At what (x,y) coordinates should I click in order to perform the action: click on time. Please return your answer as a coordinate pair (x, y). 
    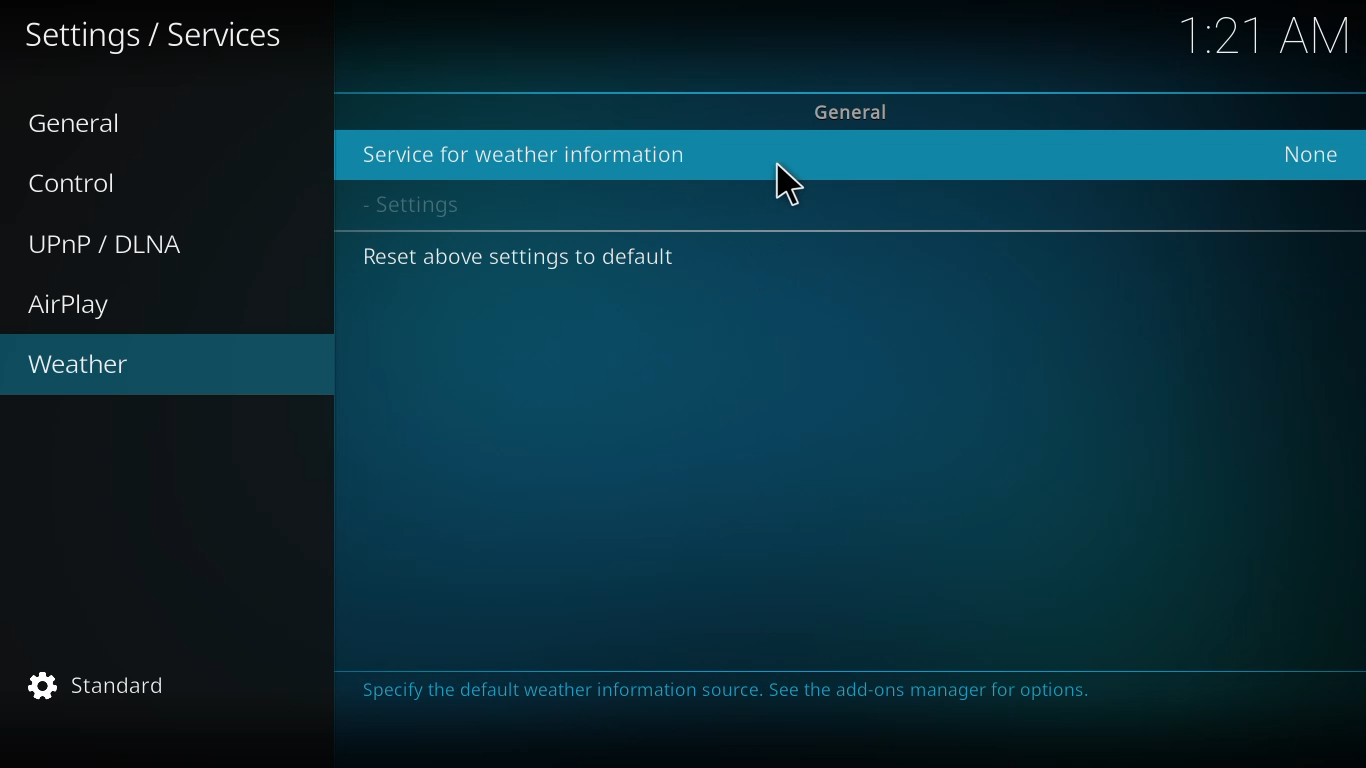
    Looking at the image, I should click on (1268, 34).